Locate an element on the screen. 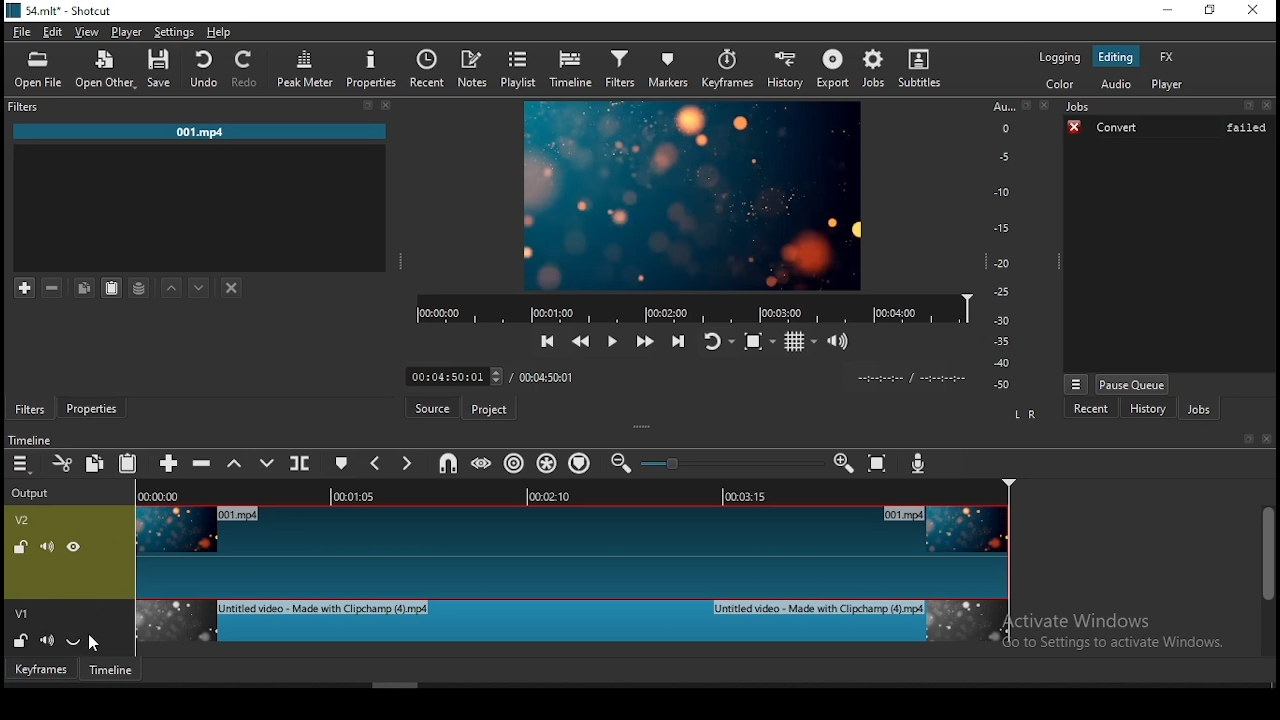  cursor is located at coordinates (97, 645).